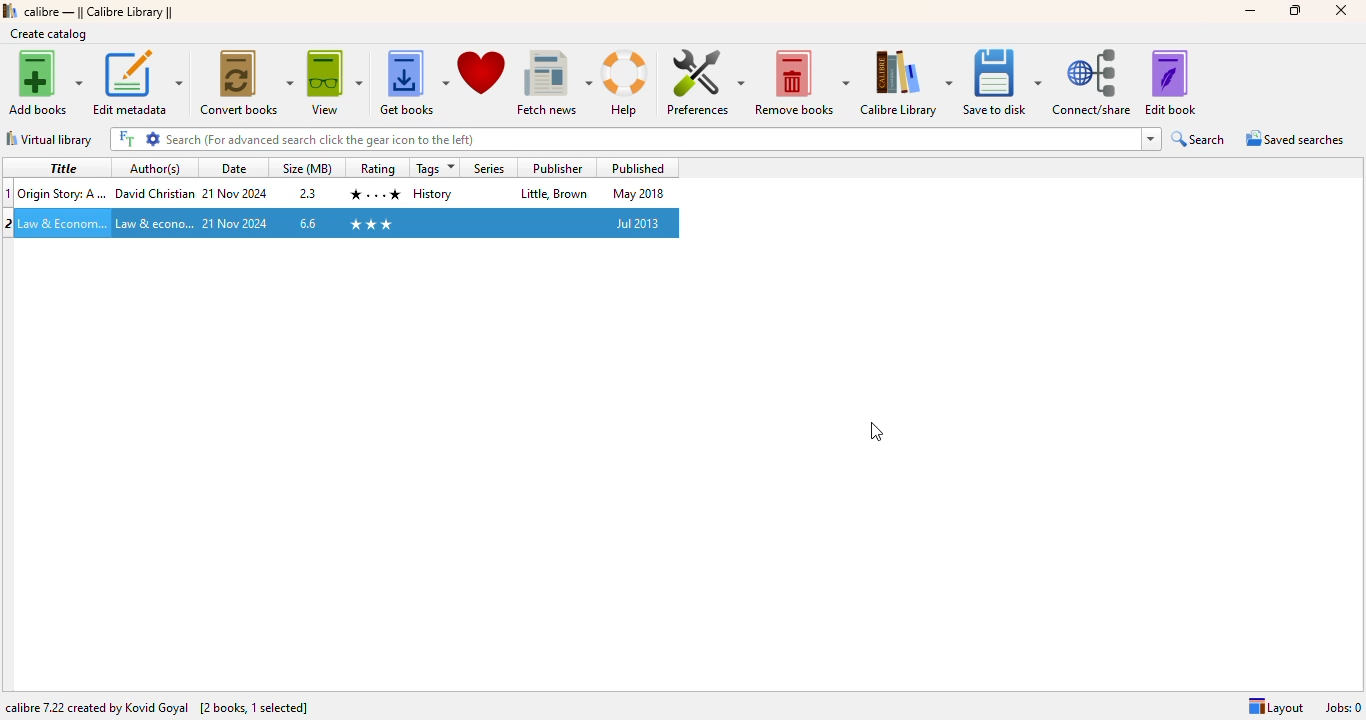 The width and height of the screenshot is (1366, 720). I want to click on Rating, so click(377, 169).